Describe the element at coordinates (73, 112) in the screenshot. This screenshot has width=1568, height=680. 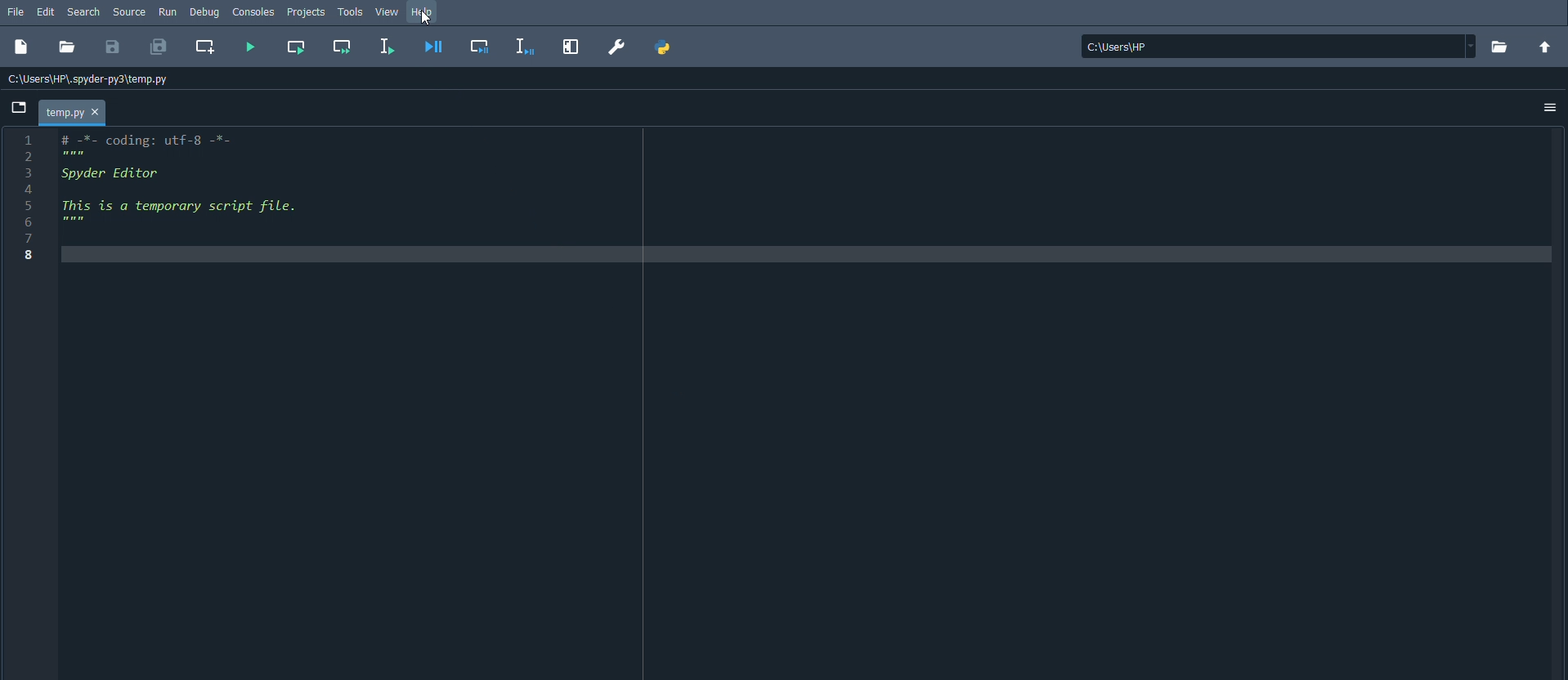
I see `Temporary file` at that location.